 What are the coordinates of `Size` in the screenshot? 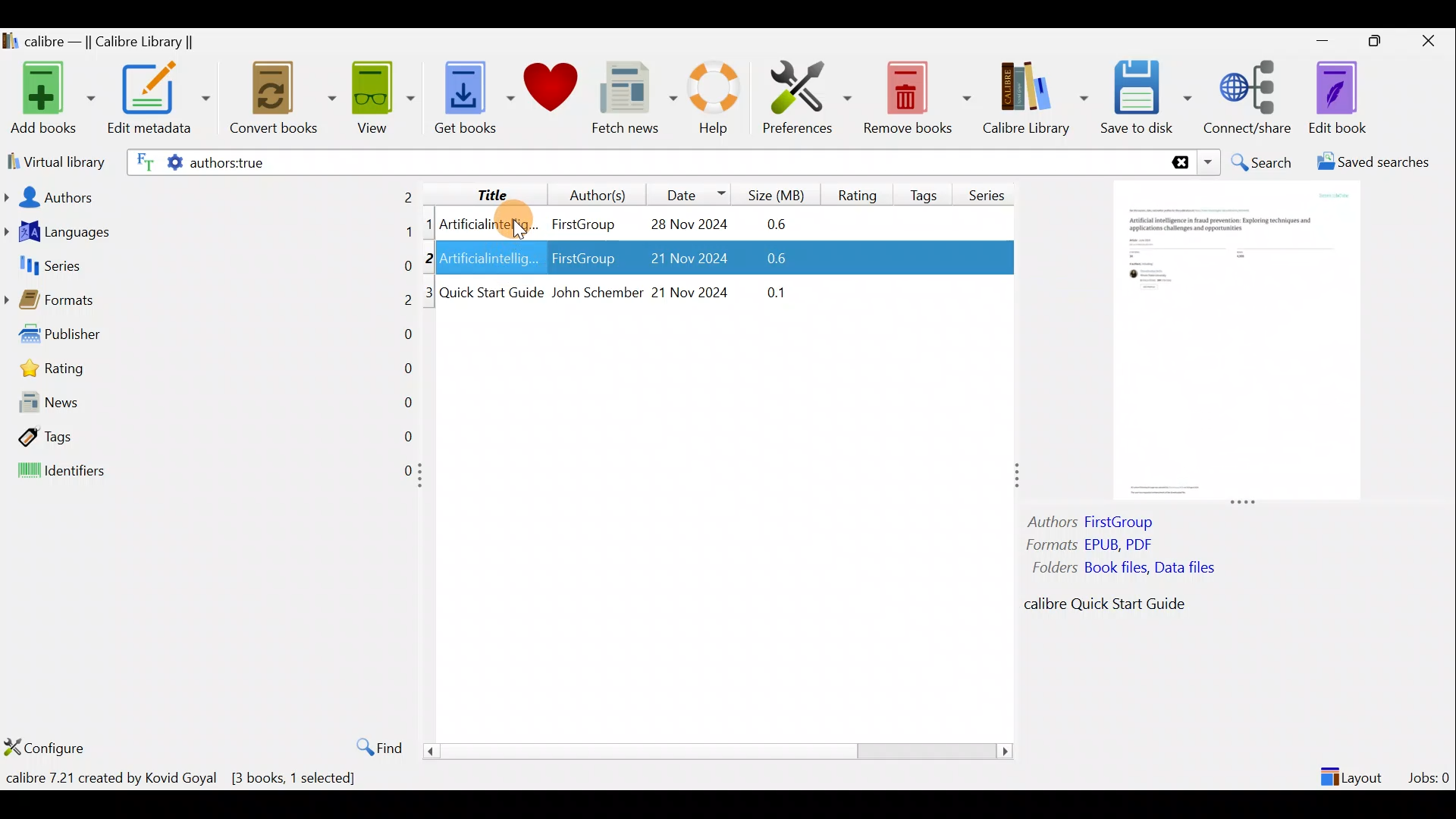 It's located at (780, 193).